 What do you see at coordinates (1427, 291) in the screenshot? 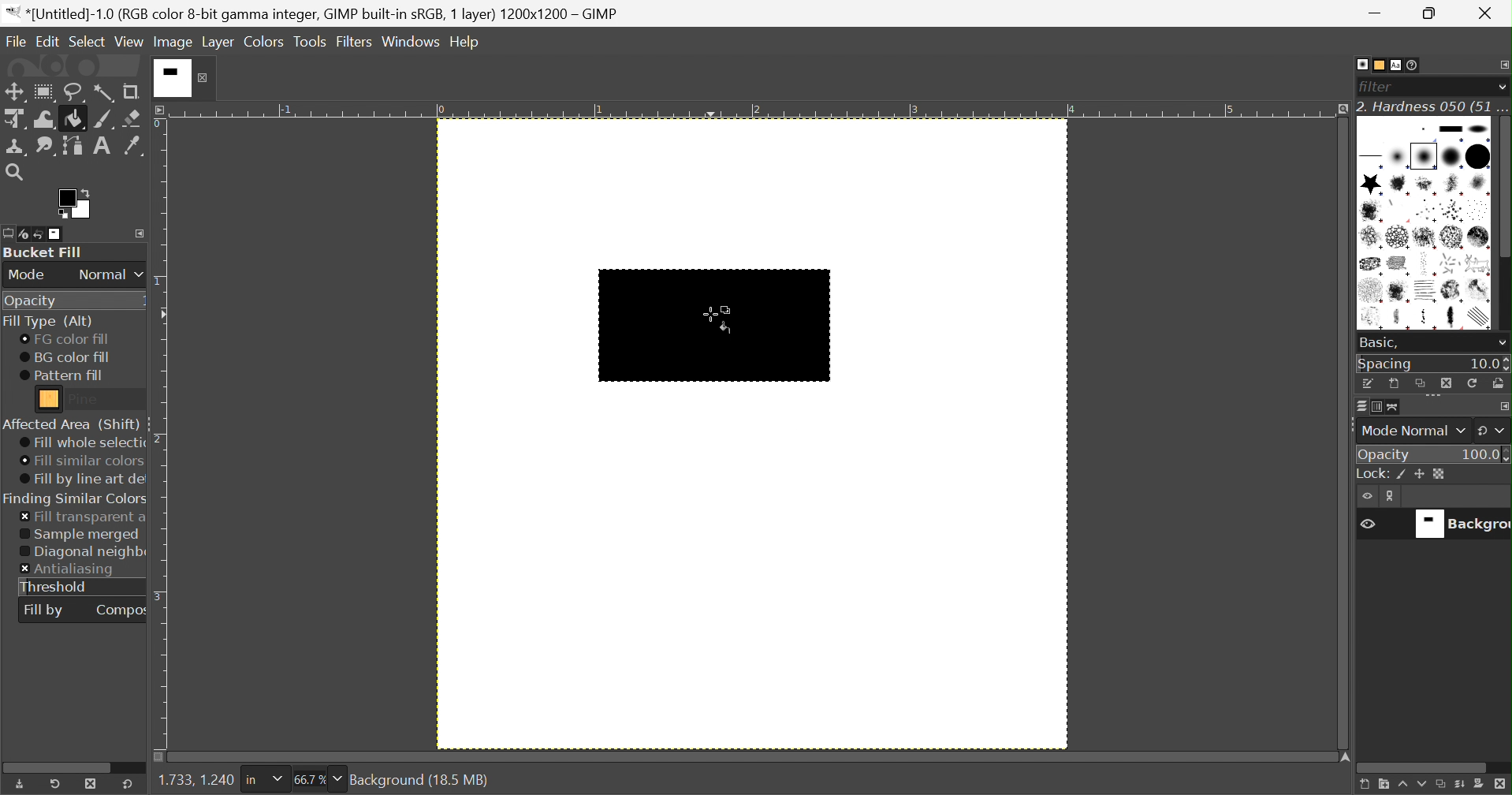
I see `Hatch Pen` at bounding box center [1427, 291].